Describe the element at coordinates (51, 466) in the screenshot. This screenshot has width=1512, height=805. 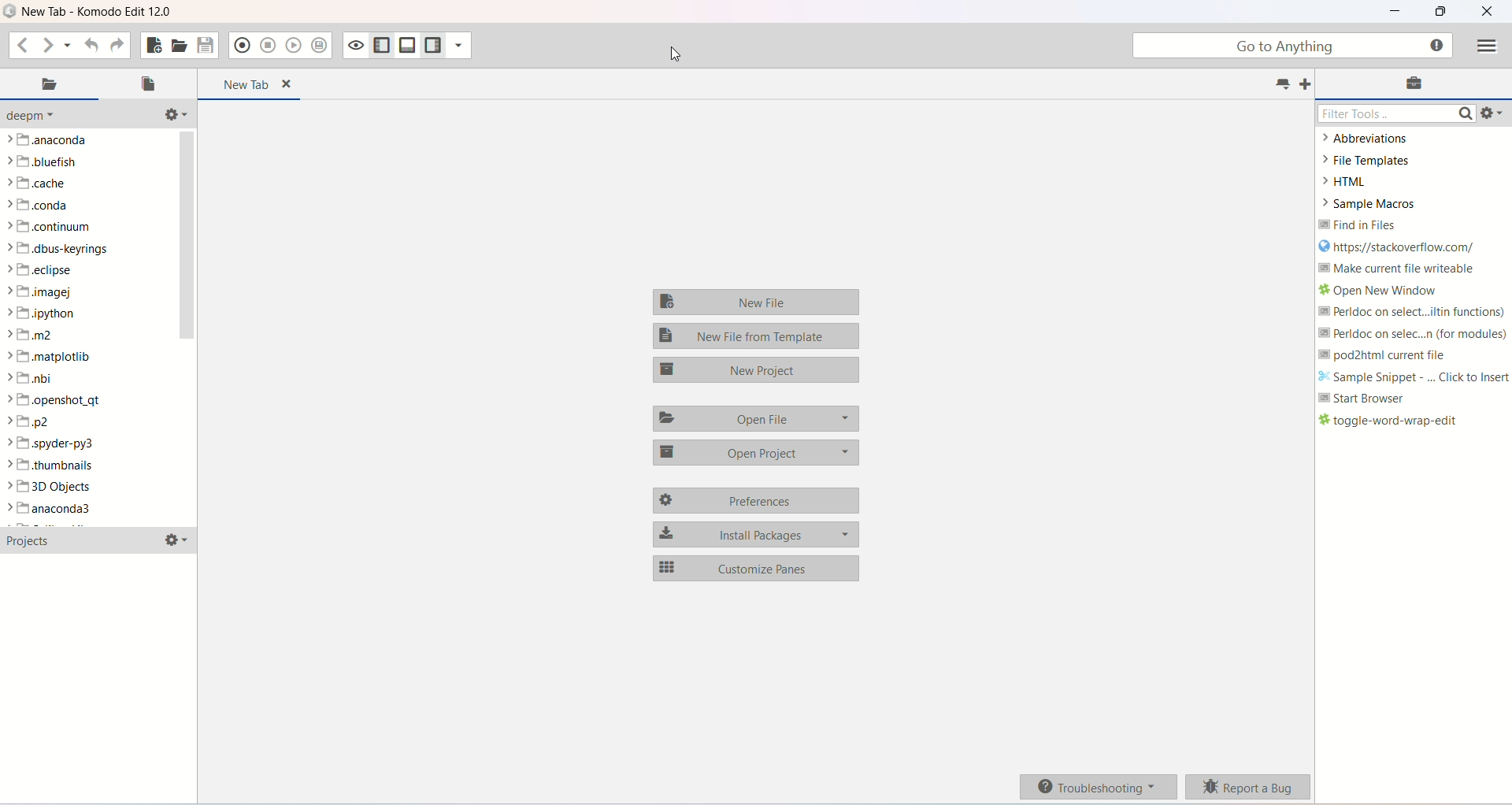
I see `thumbnails` at that location.